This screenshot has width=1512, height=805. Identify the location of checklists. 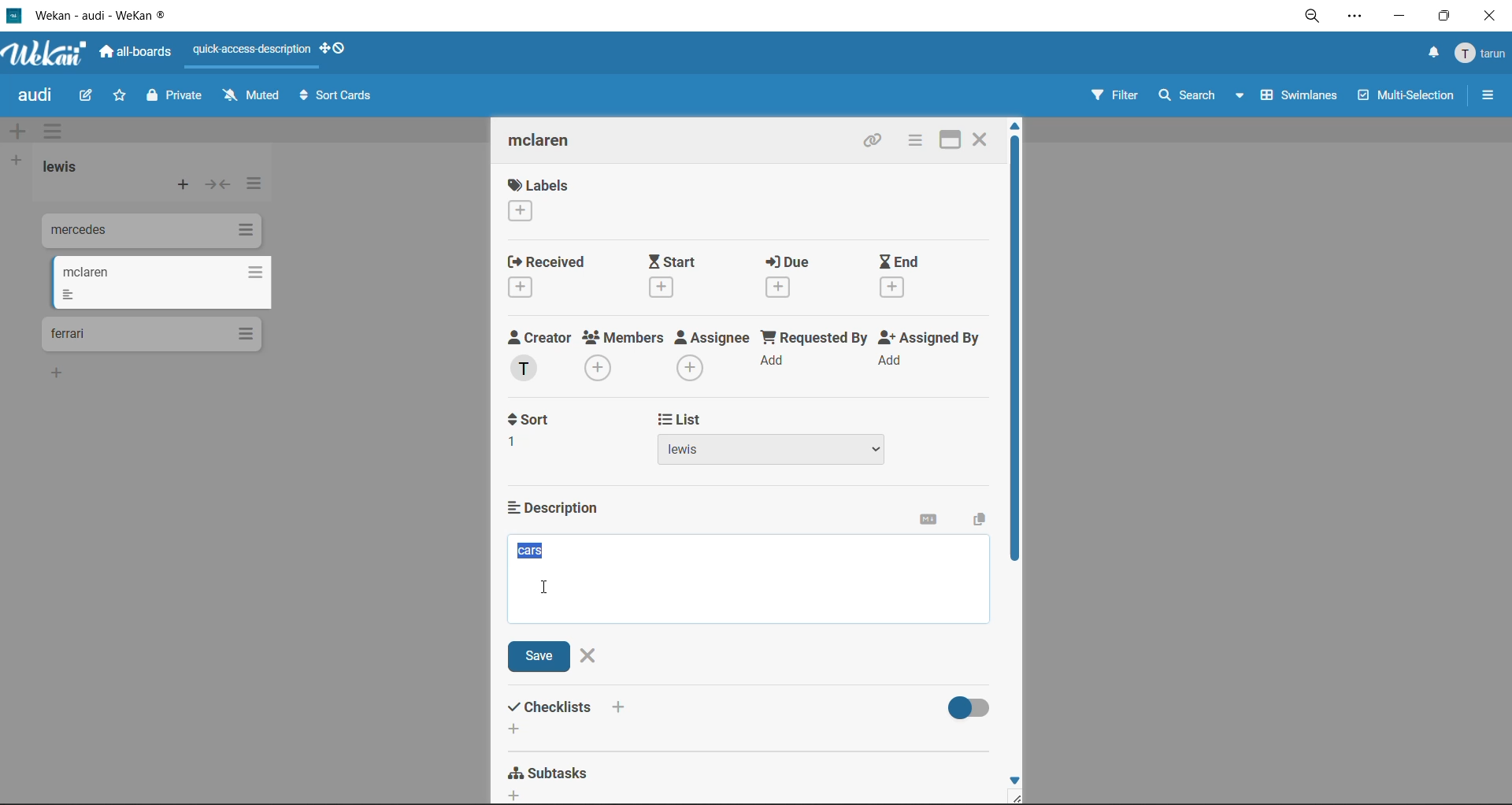
(571, 717).